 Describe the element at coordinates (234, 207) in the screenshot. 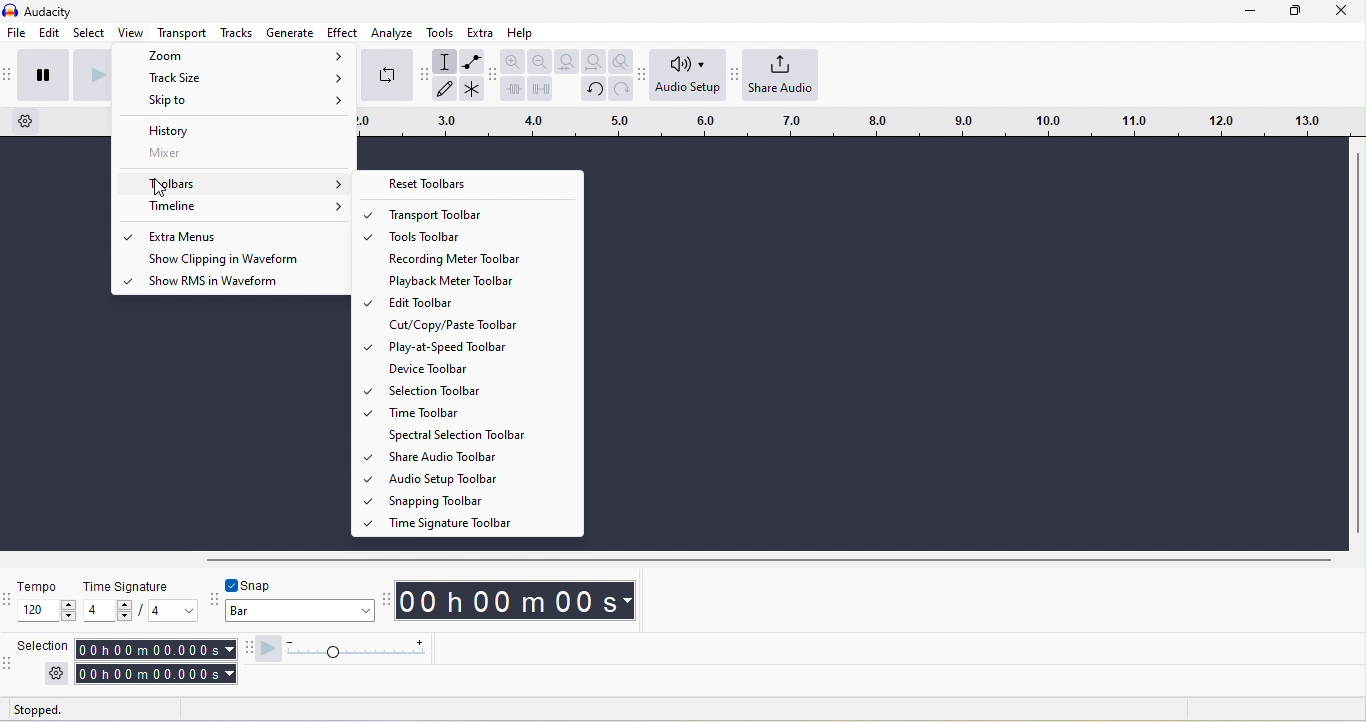

I see `Timeline ` at that location.